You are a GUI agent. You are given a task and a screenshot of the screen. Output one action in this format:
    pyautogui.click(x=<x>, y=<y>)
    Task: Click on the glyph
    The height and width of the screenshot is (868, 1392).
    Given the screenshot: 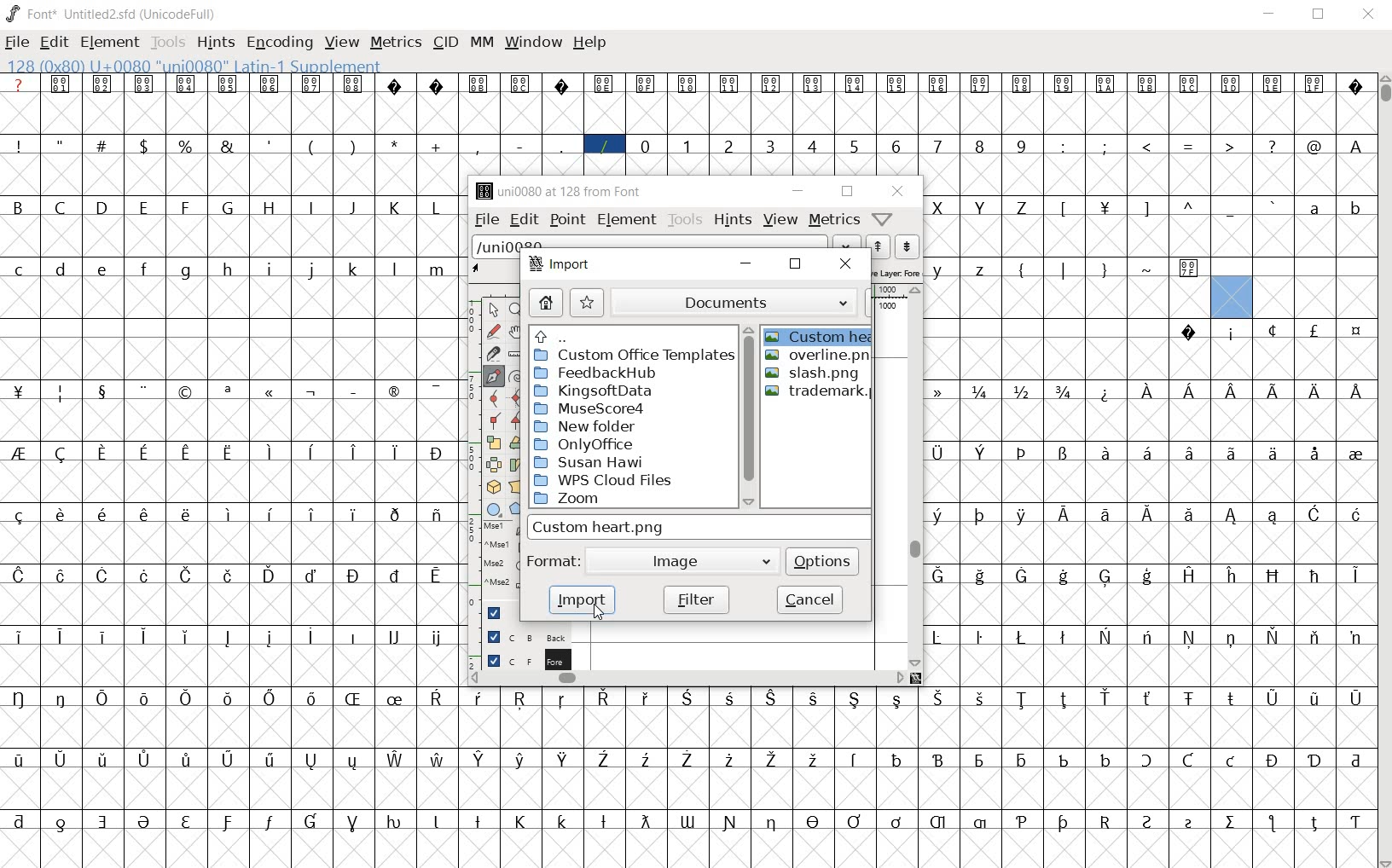 What is the action you would take?
    pyautogui.click(x=1021, y=576)
    